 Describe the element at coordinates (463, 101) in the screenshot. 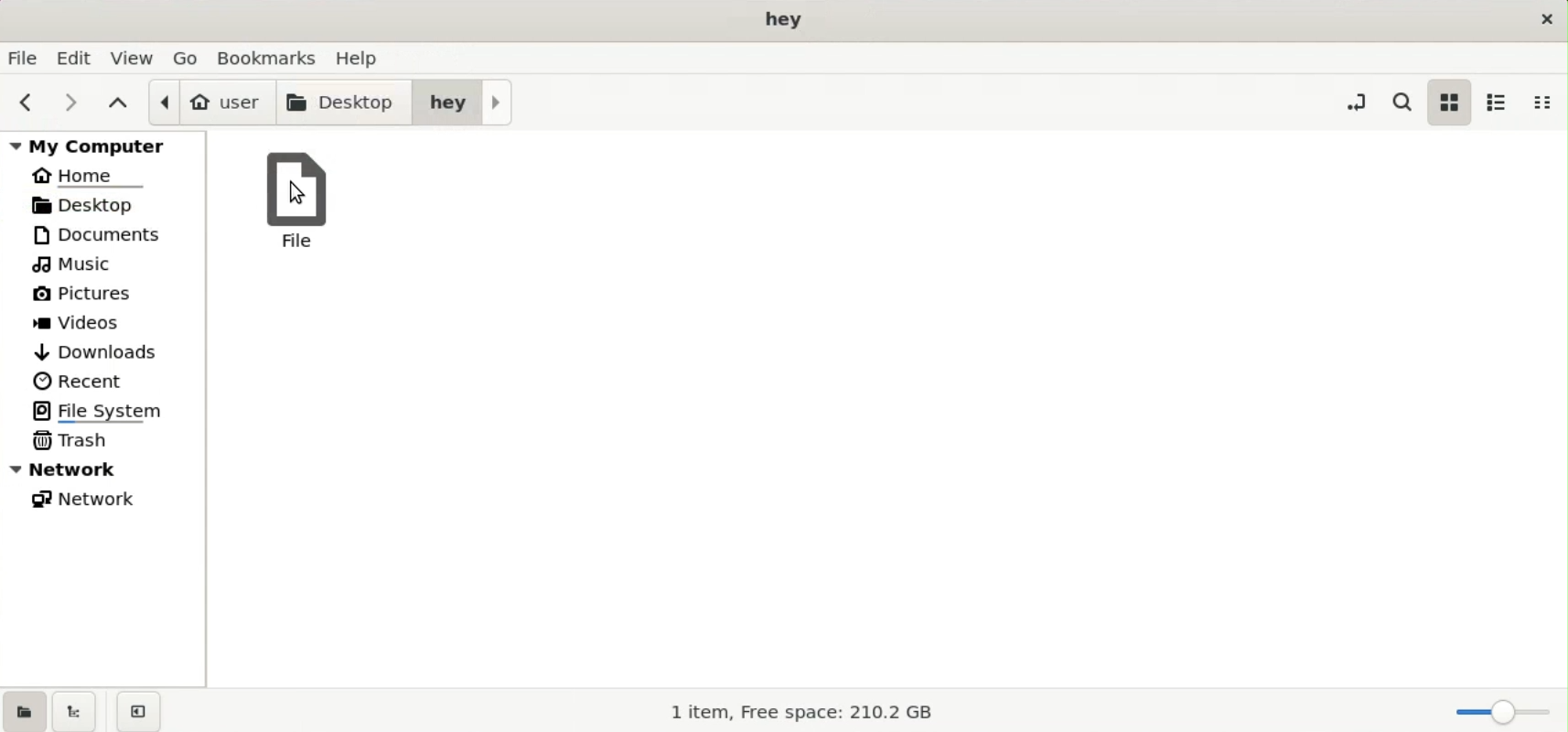

I see `hey` at that location.